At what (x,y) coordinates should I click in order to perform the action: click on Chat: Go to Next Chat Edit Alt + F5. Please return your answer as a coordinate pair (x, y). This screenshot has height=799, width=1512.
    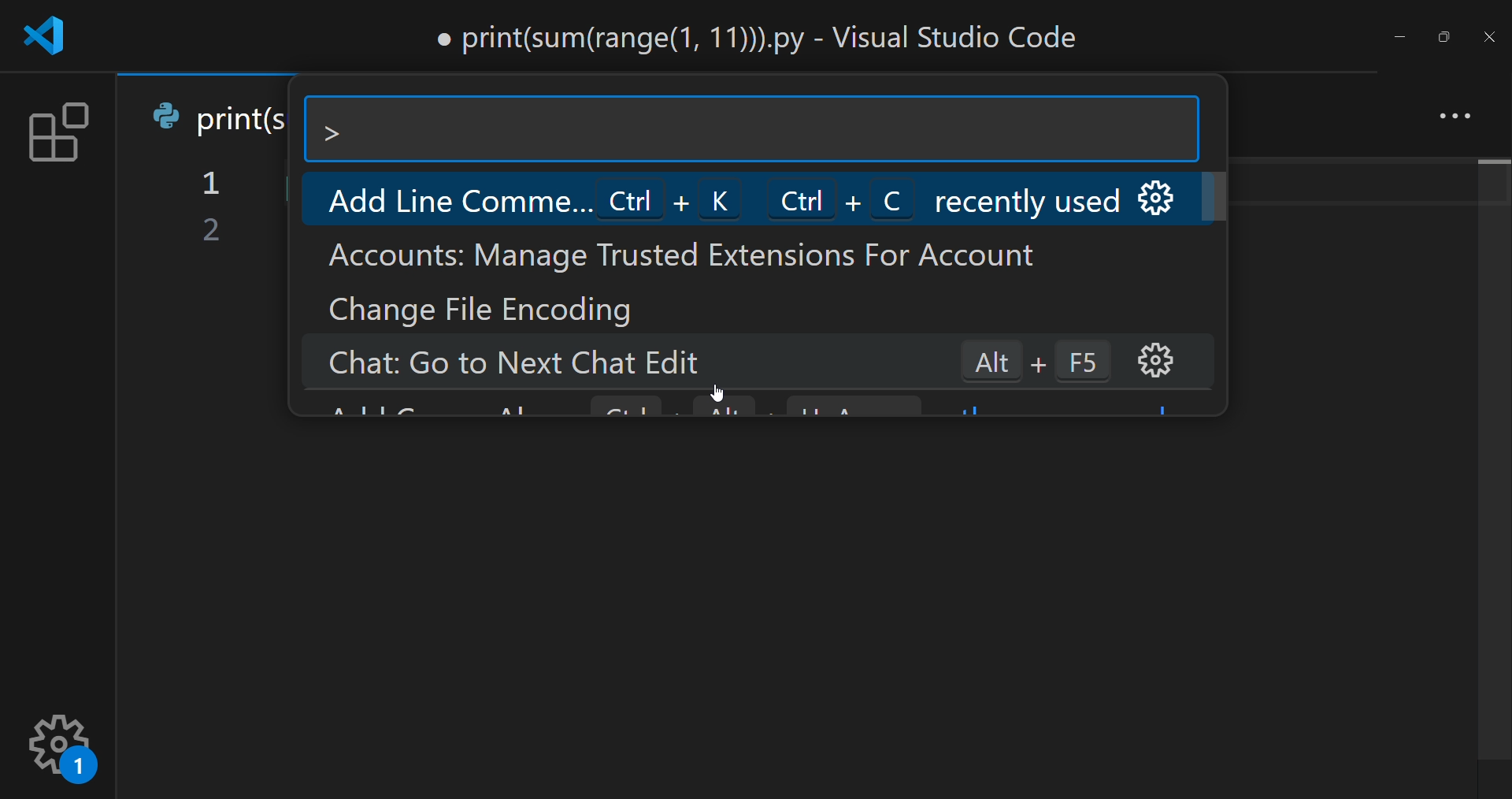
    Looking at the image, I should click on (704, 362).